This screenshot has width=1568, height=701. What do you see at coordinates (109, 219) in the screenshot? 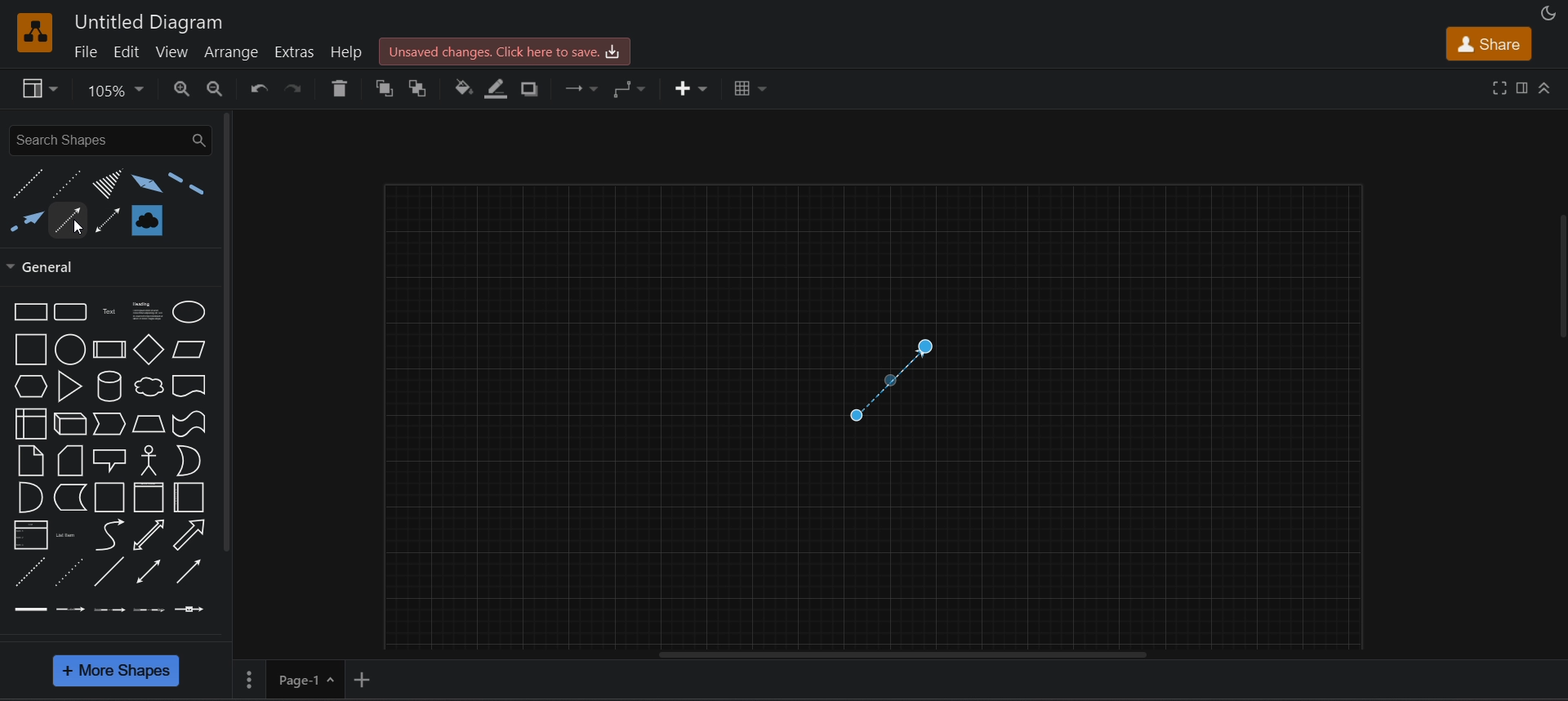
I see `double ended arrows` at bounding box center [109, 219].